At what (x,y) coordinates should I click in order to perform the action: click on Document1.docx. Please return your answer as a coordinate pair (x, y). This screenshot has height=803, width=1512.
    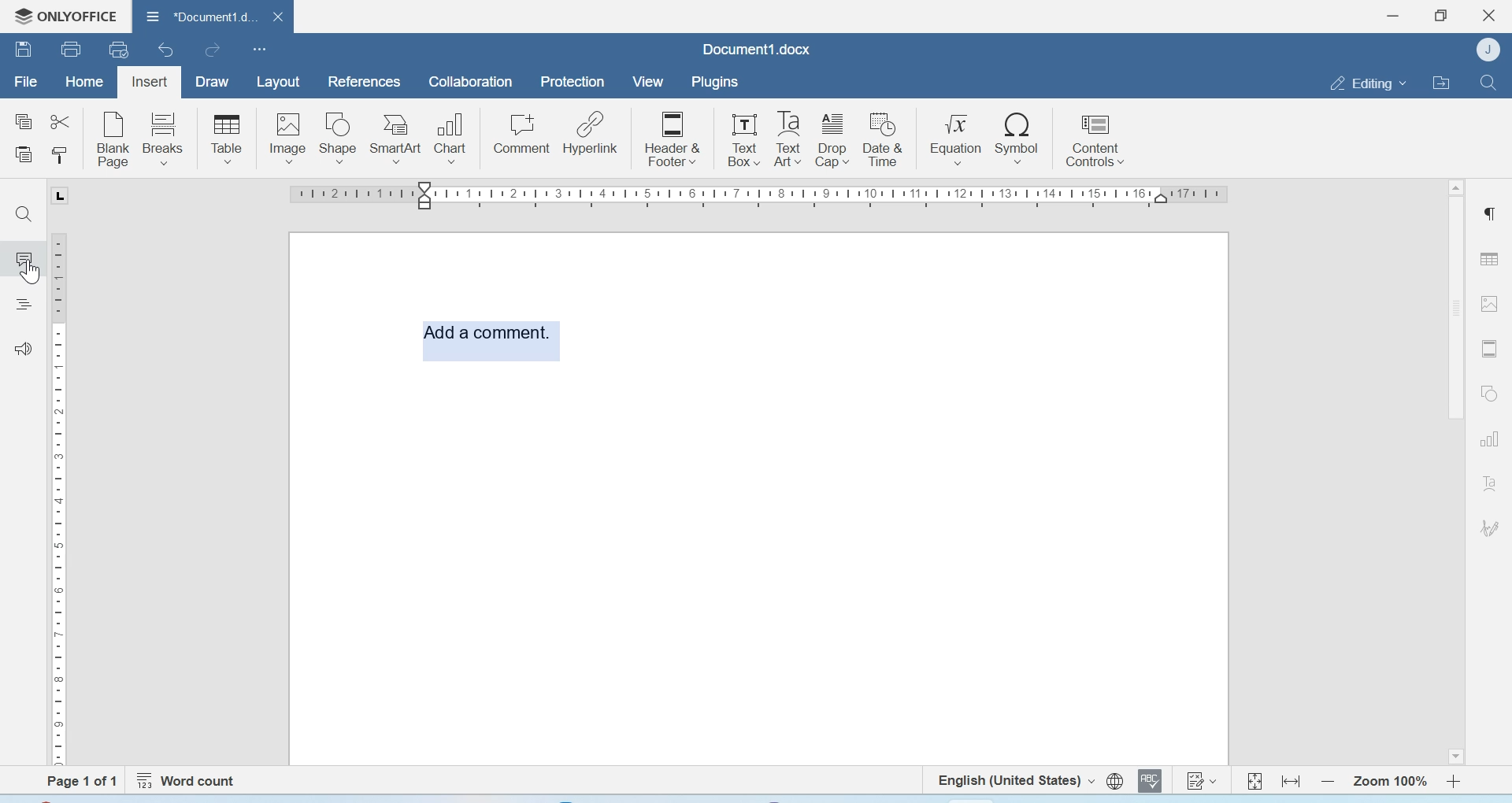
    Looking at the image, I should click on (198, 13).